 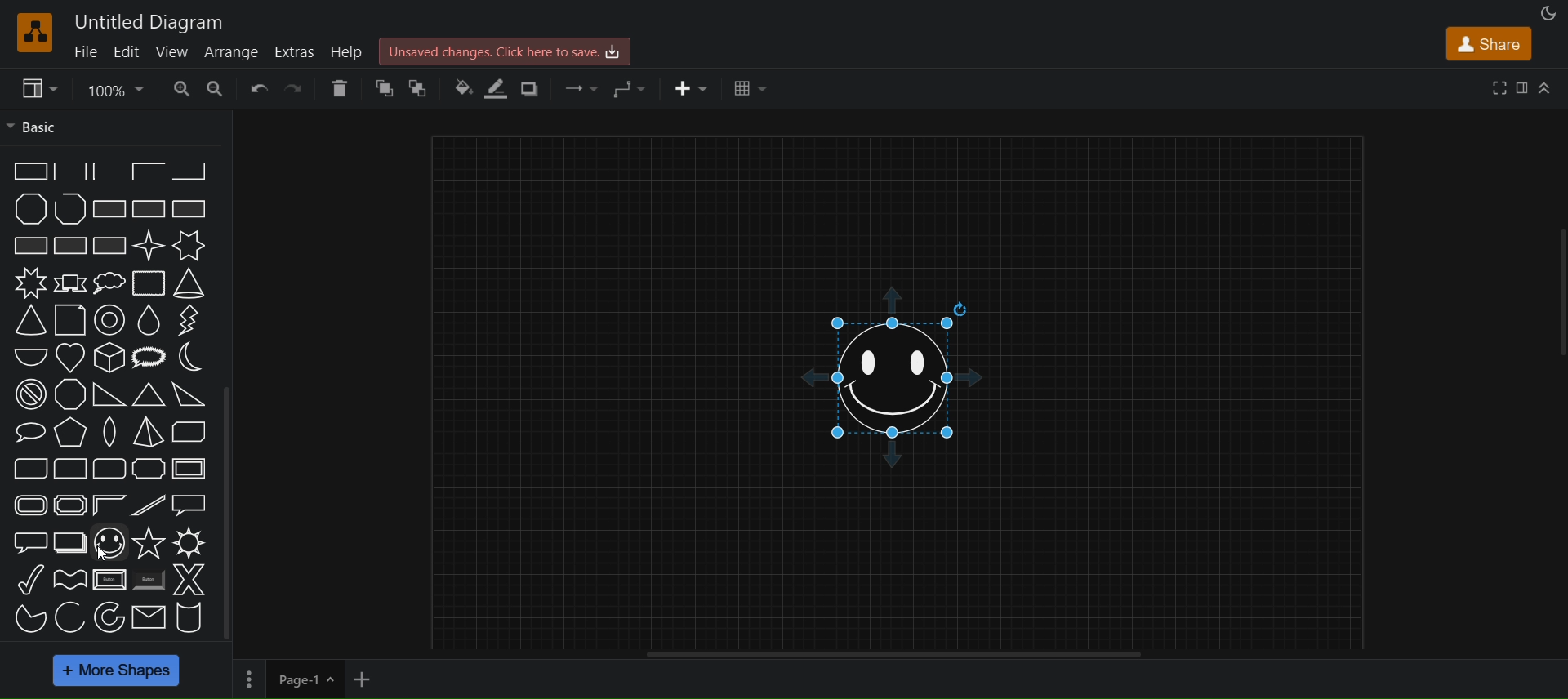 What do you see at coordinates (424, 88) in the screenshot?
I see `to back` at bounding box center [424, 88].